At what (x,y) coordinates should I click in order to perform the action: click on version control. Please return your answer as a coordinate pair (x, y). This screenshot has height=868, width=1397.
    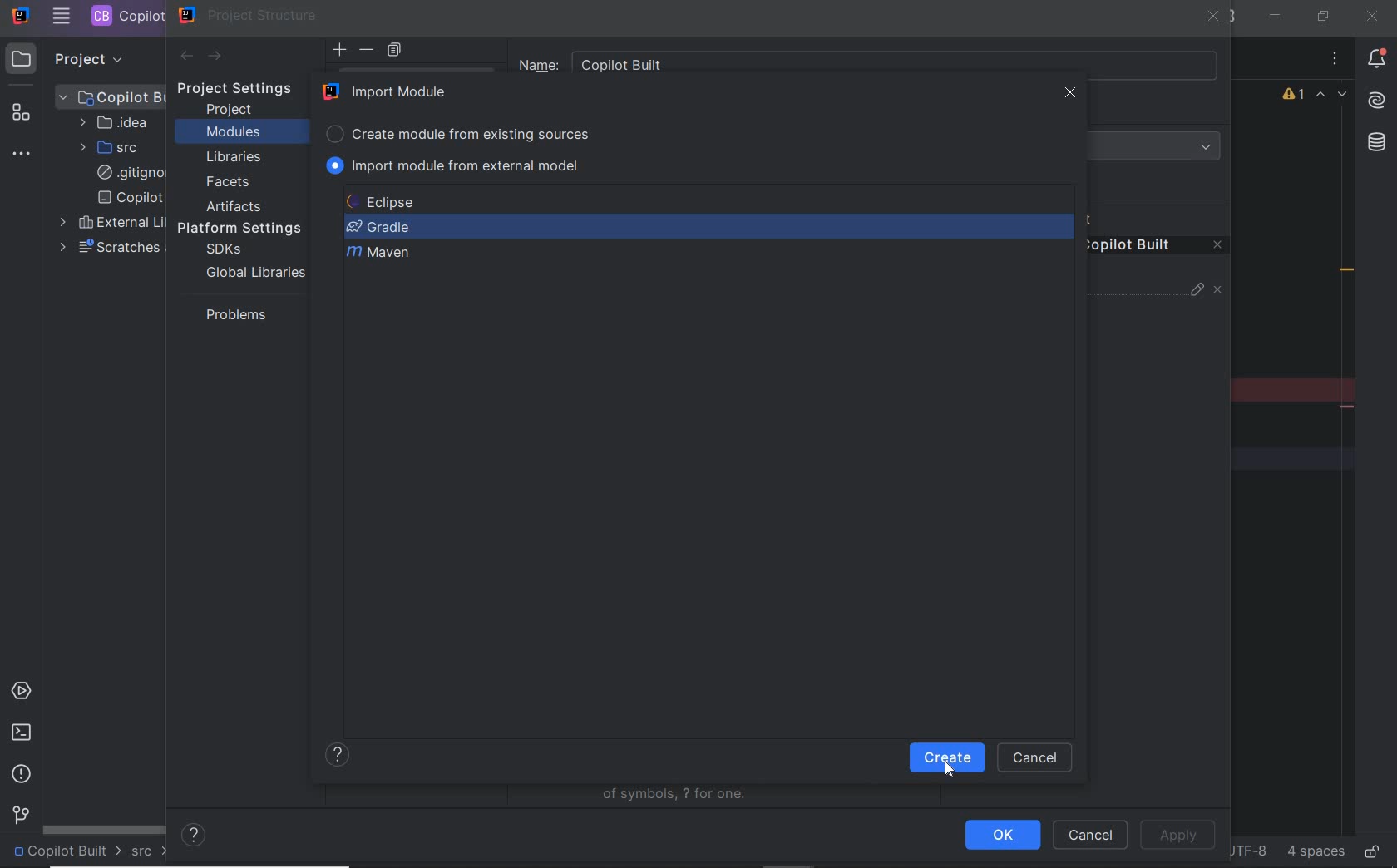
    Looking at the image, I should click on (18, 816).